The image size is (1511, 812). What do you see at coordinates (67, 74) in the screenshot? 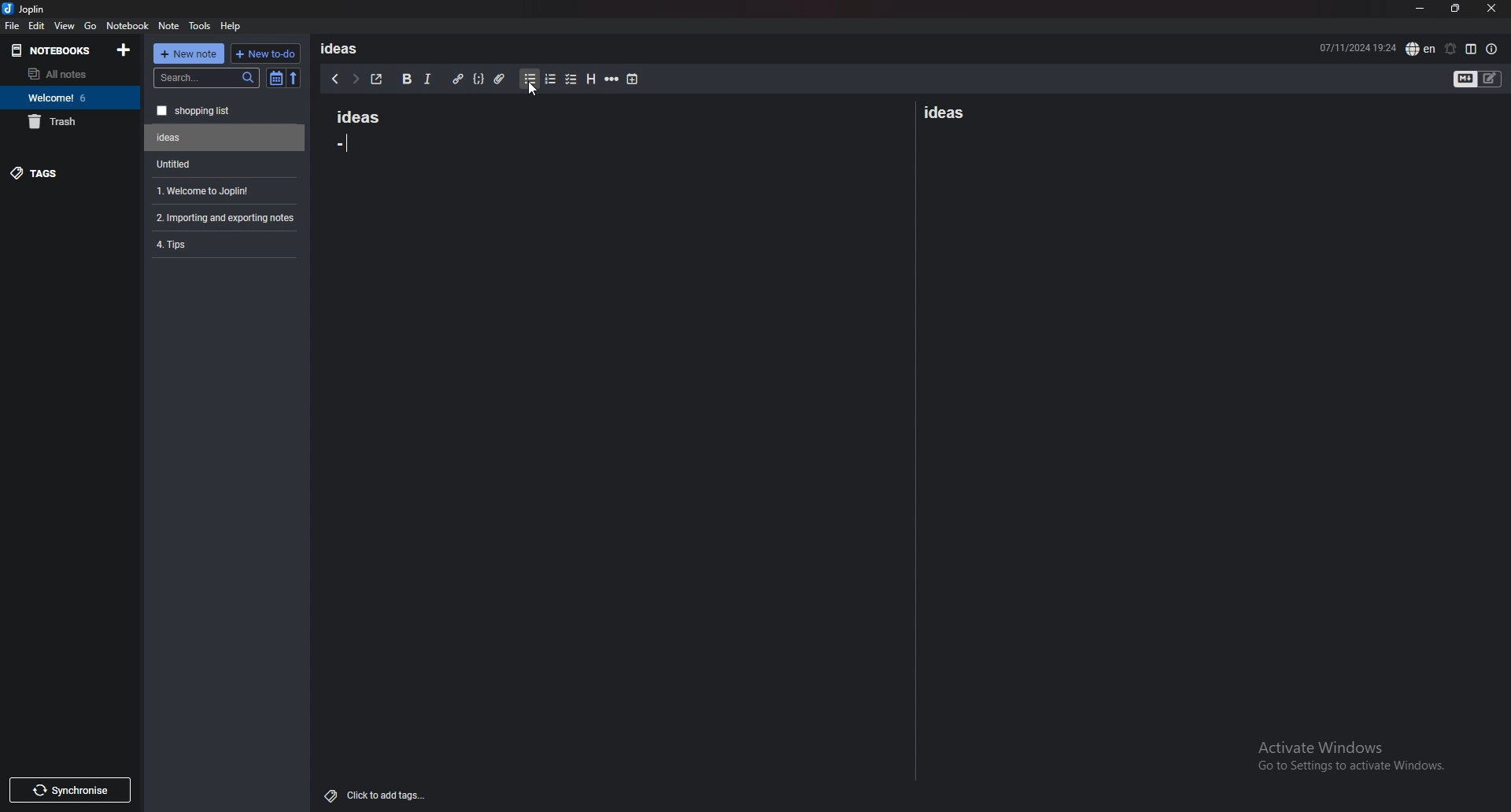
I see `all notes` at bounding box center [67, 74].